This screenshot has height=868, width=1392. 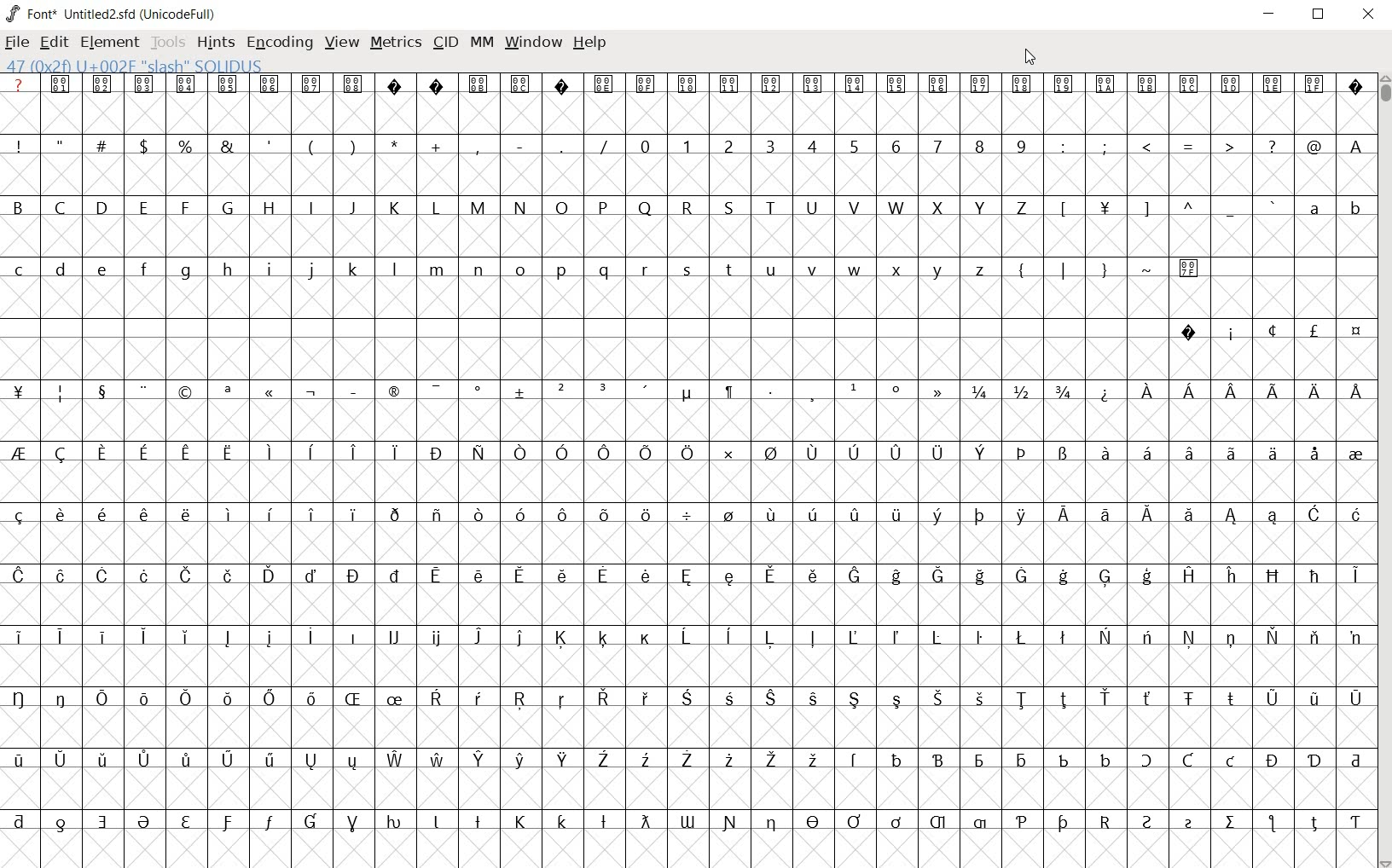 I want to click on ELEMENT, so click(x=109, y=43).